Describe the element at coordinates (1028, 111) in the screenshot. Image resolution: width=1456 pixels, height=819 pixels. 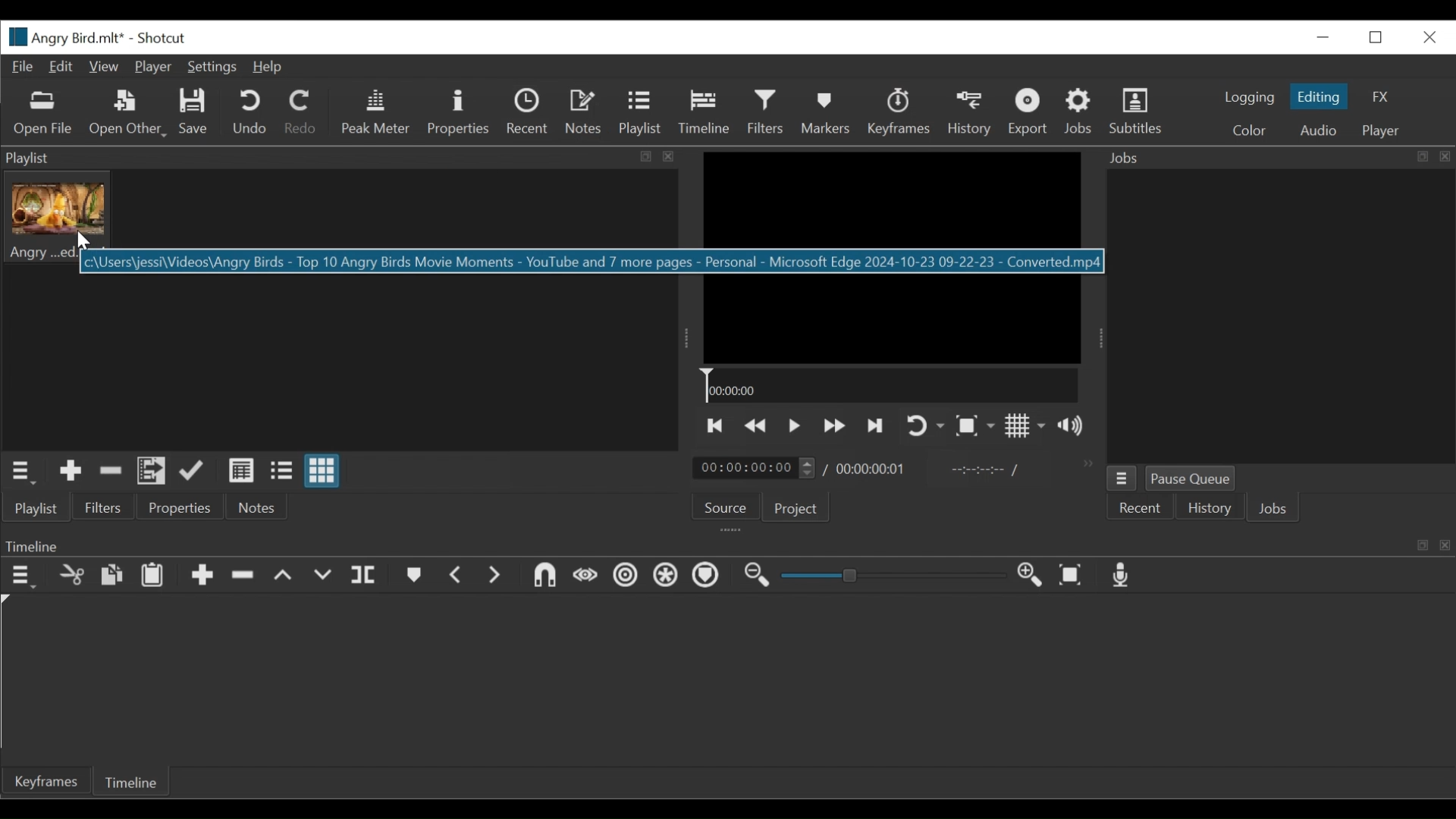
I see `Export` at that location.